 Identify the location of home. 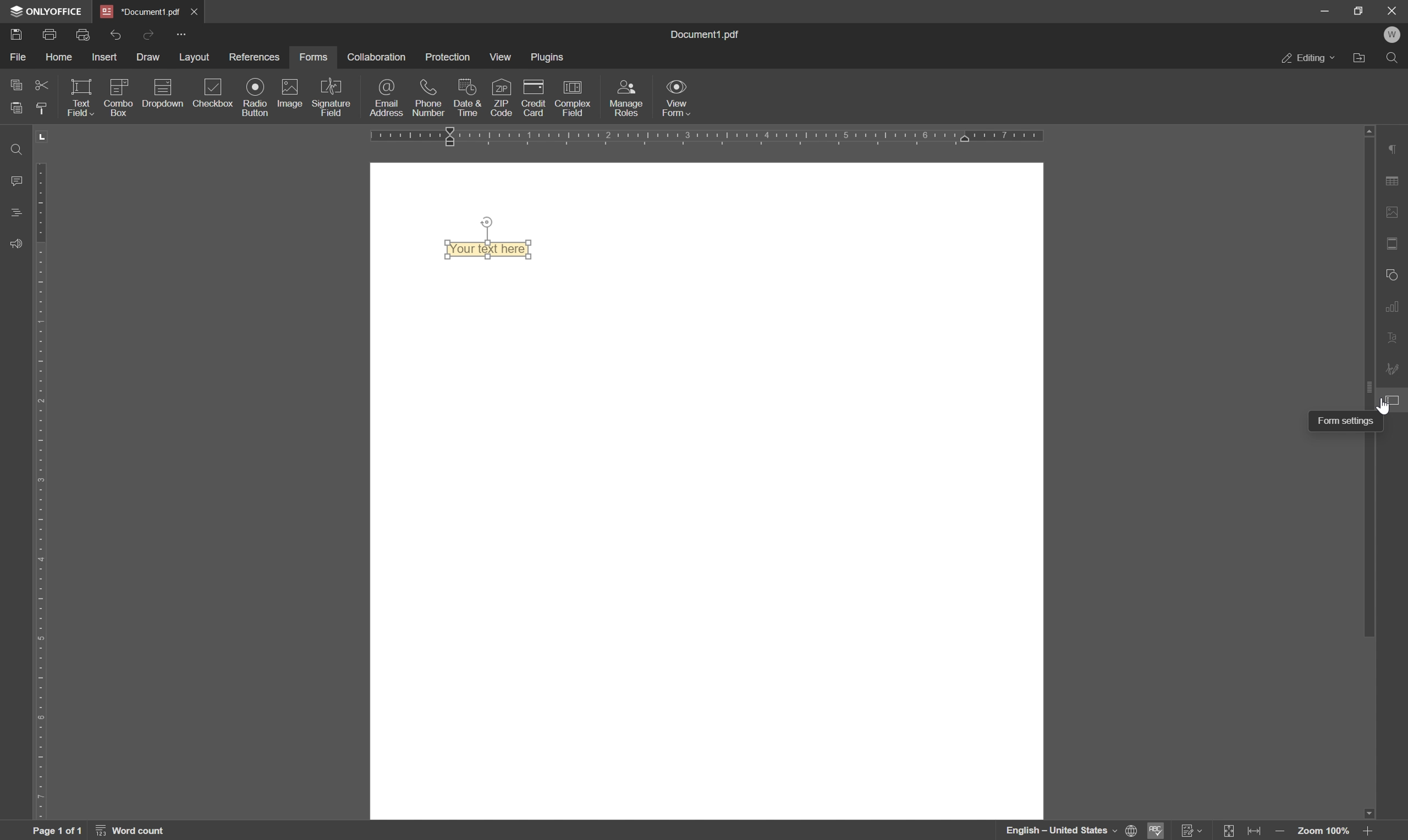
(63, 59).